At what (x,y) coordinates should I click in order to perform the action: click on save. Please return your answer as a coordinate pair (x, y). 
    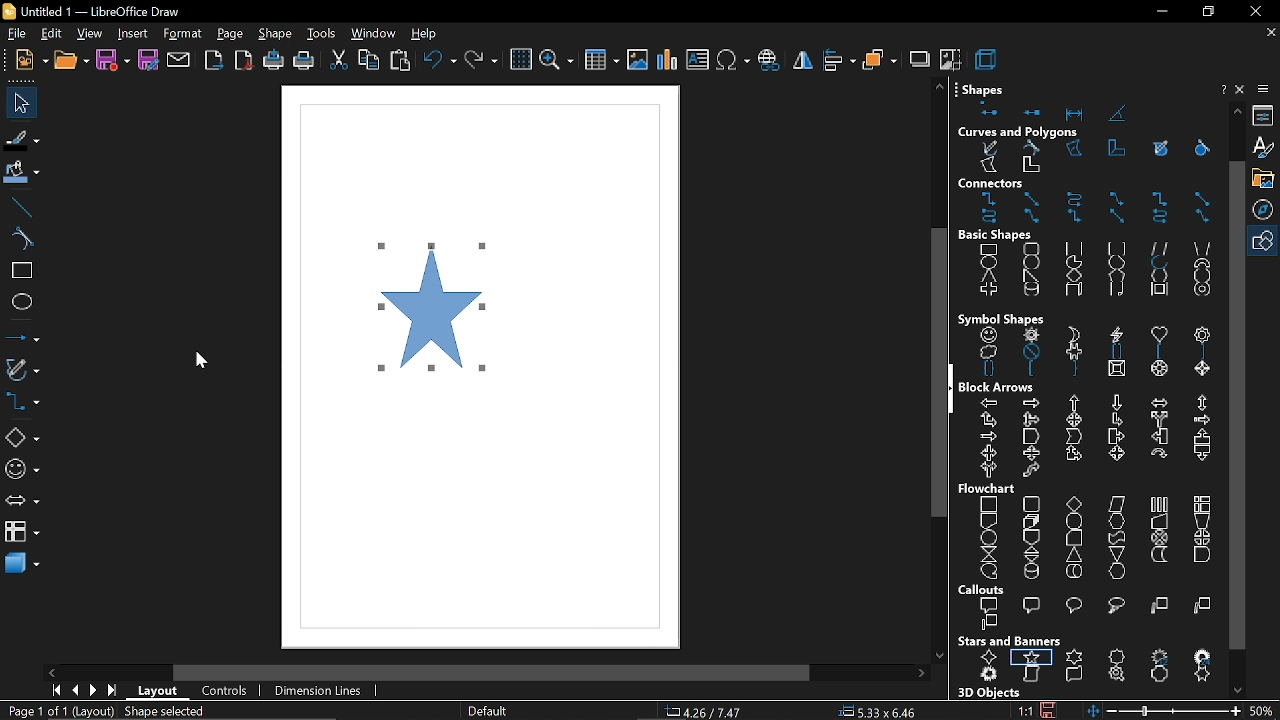
    Looking at the image, I should click on (1050, 710).